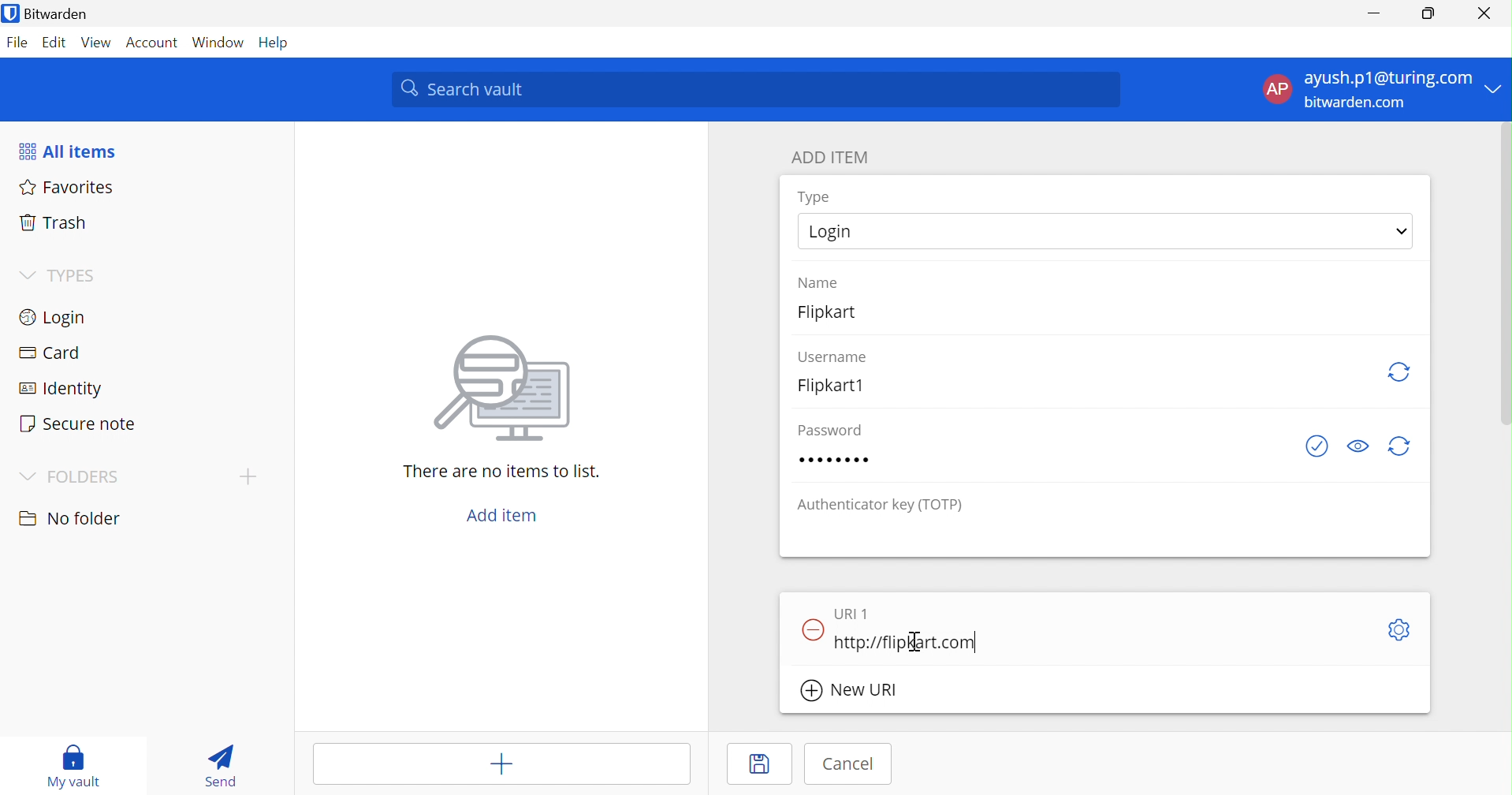 Image resolution: width=1512 pixels, height=795 pixels. What do you see at coordinates (73, 519) in the screenshot?
I see `No folder` at bounding box center [73, 519].